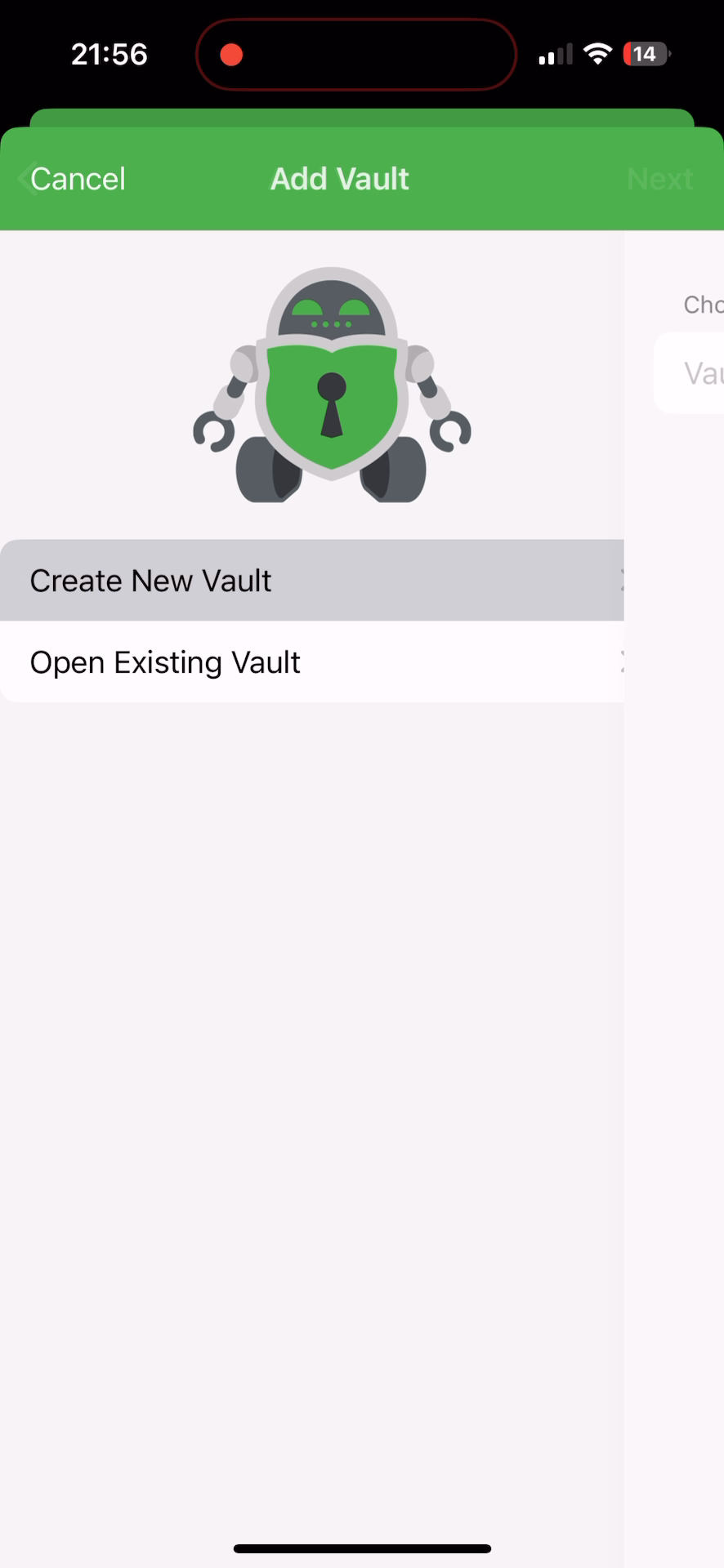 The height and width of the screenshot is (1568, 724). What do you see at coordinates (336, 178) in the screenshot?
I see `add vault` at bounding box center [336, 178].